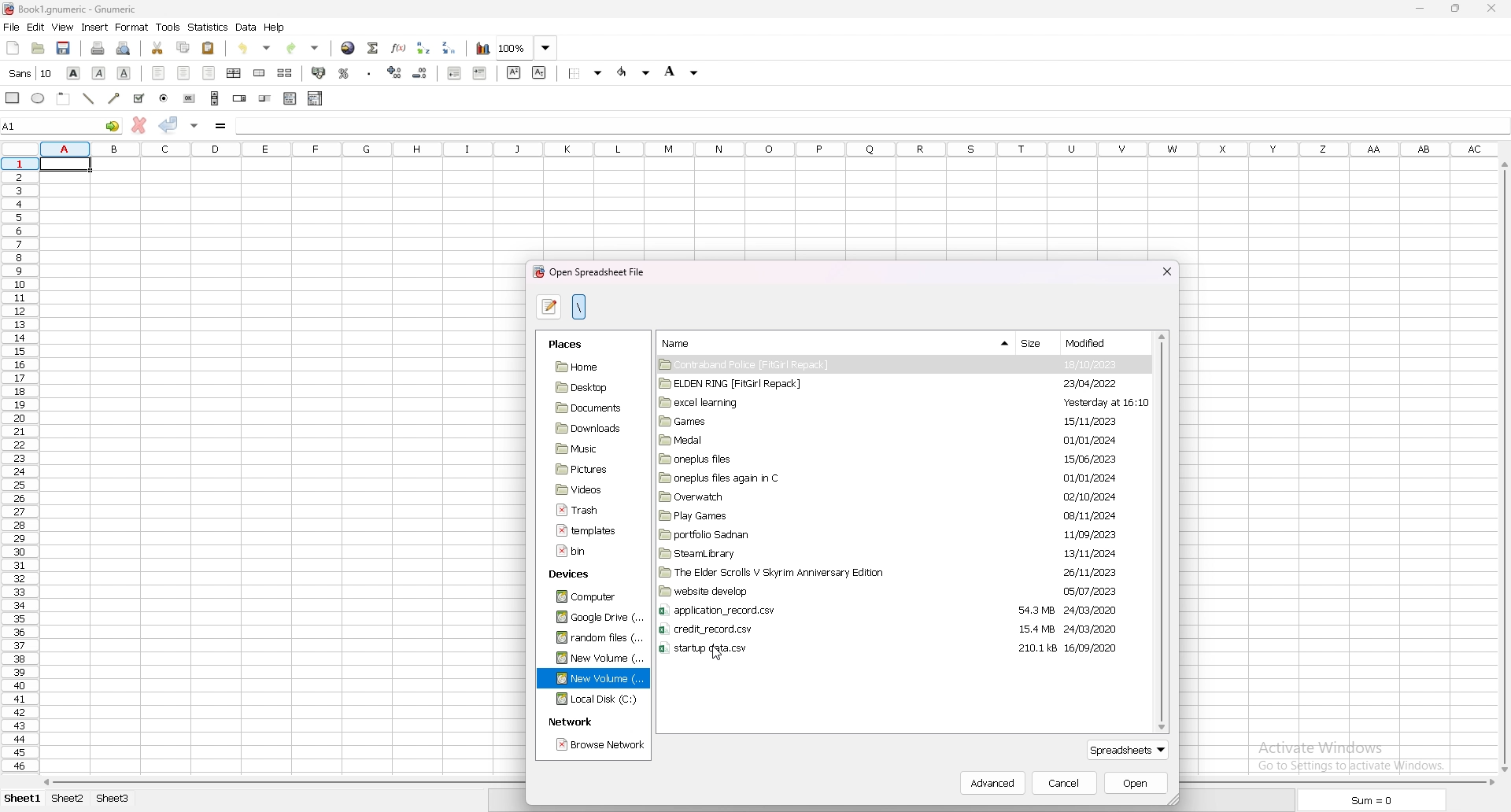 The width and height of the screenshot is (1511, 812). I want to click on size, so click(1030, 341).